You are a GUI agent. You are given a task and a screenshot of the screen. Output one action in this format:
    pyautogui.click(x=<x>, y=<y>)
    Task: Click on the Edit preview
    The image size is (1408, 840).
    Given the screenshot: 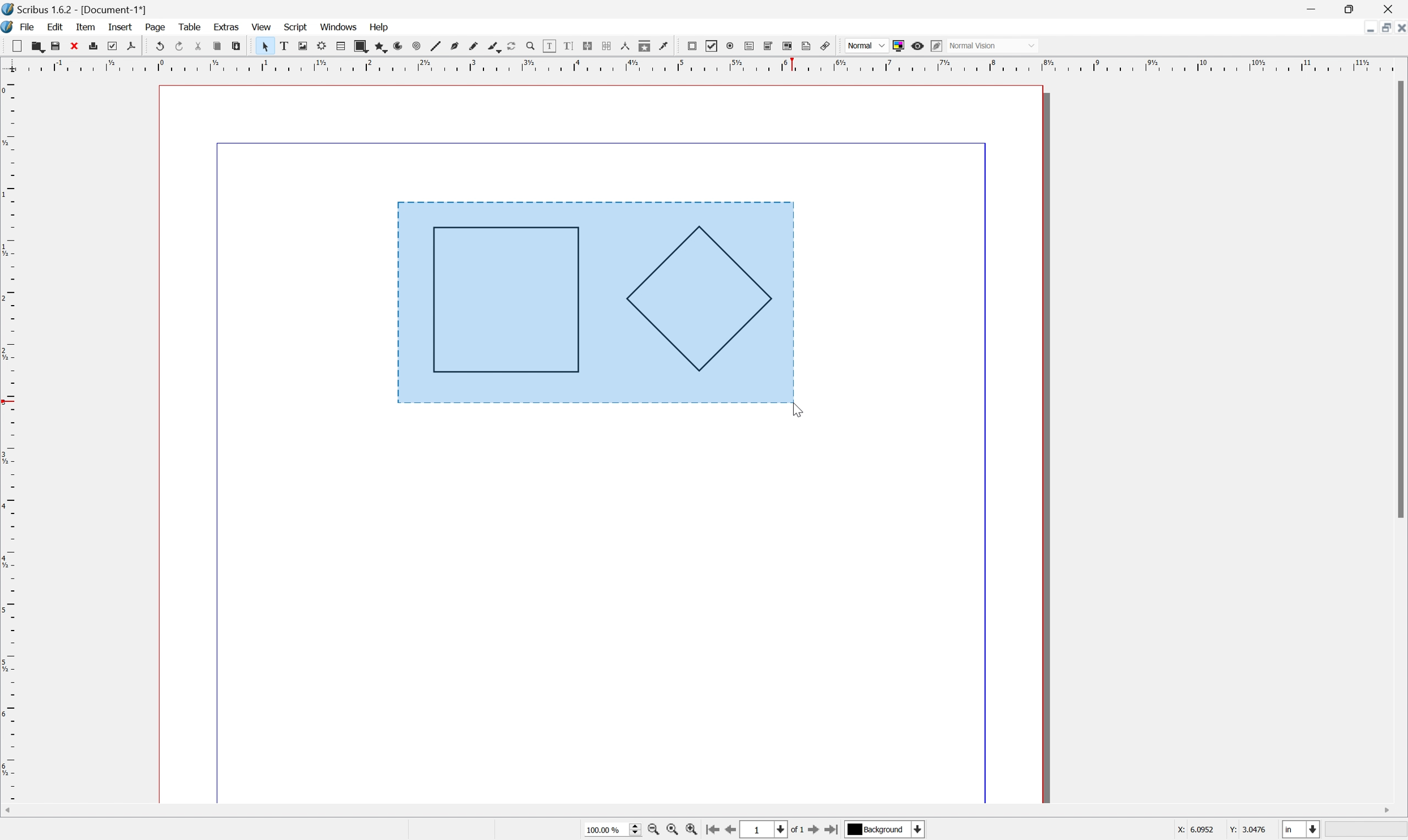 What is the action you would take?
    pyautogui.click(x=936, y=45)
    